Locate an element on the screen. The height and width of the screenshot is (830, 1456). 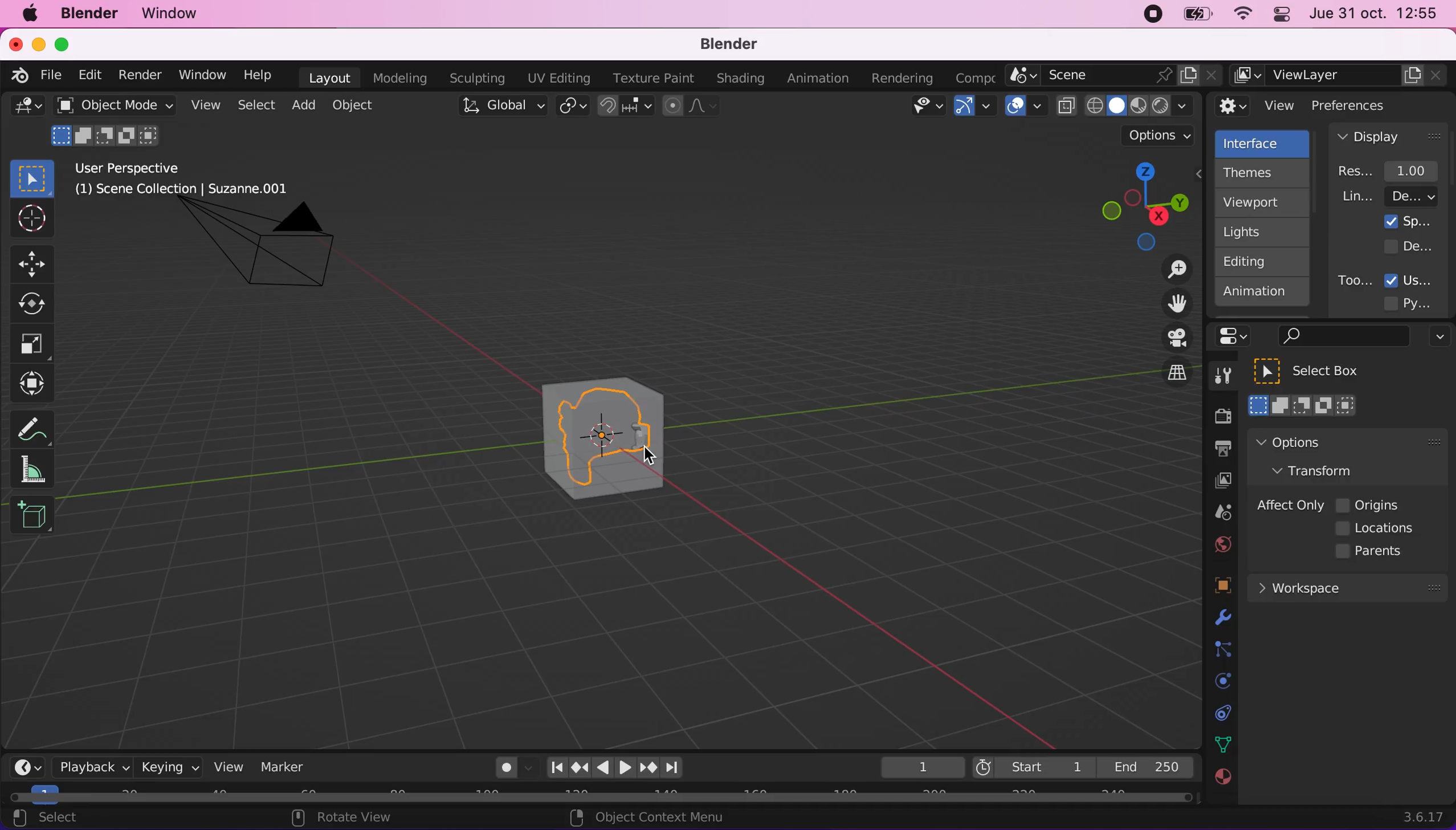
zoom in/out the view is located at coordinates (1171, 269).